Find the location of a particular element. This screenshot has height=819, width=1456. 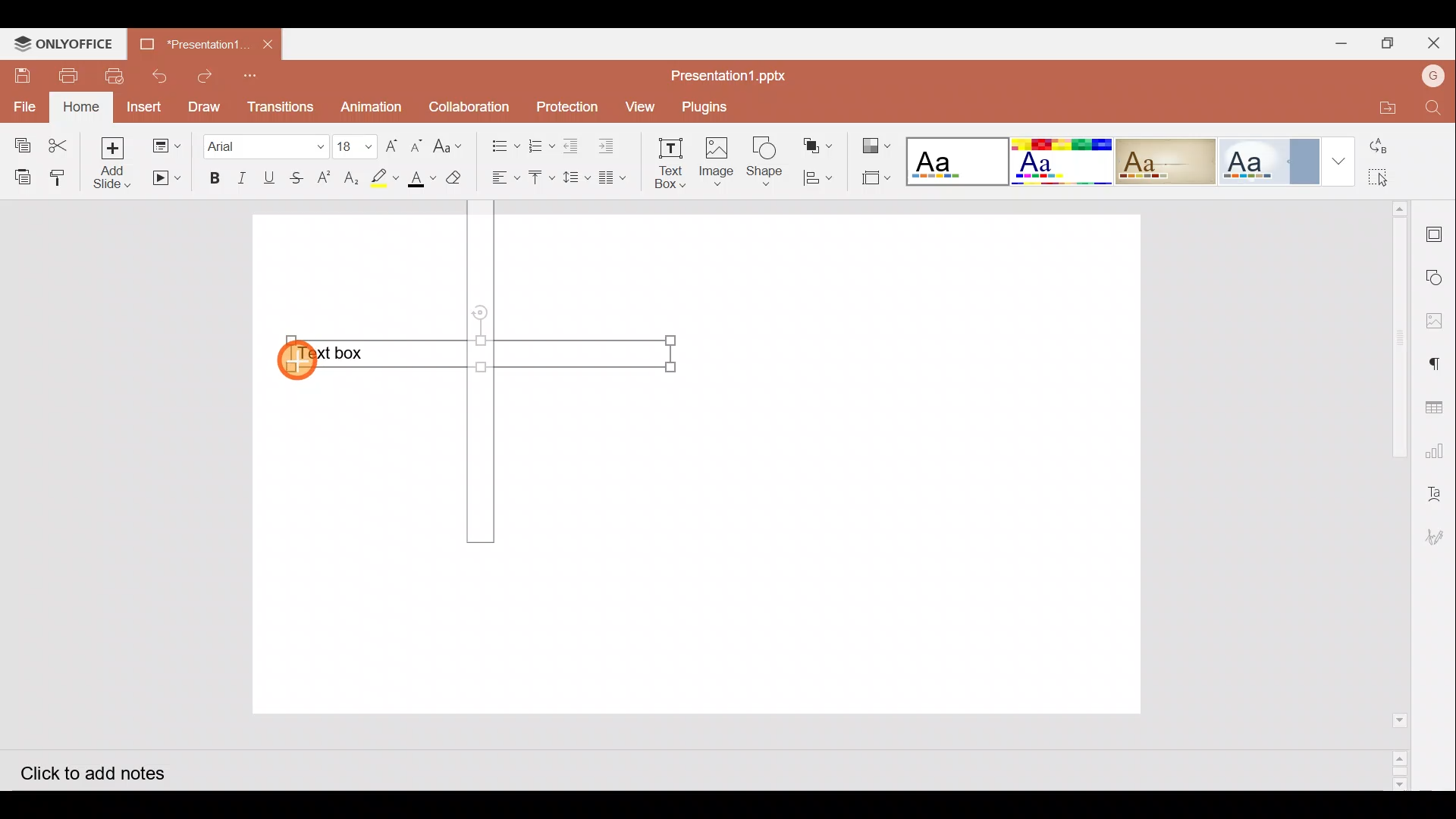

Text box is located at coordinates (475, 356).